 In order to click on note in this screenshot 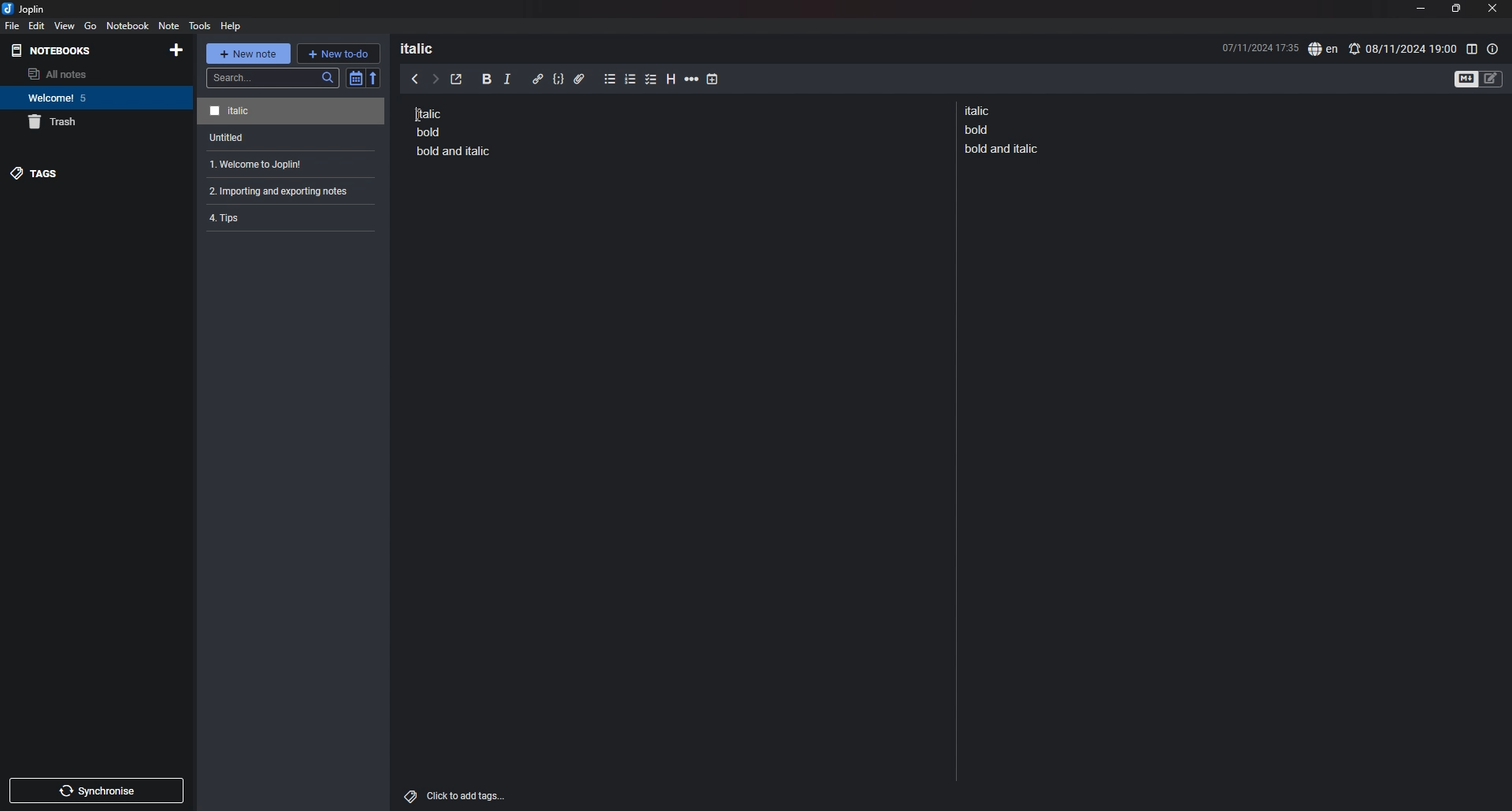, I will do `click(284, 191)`.